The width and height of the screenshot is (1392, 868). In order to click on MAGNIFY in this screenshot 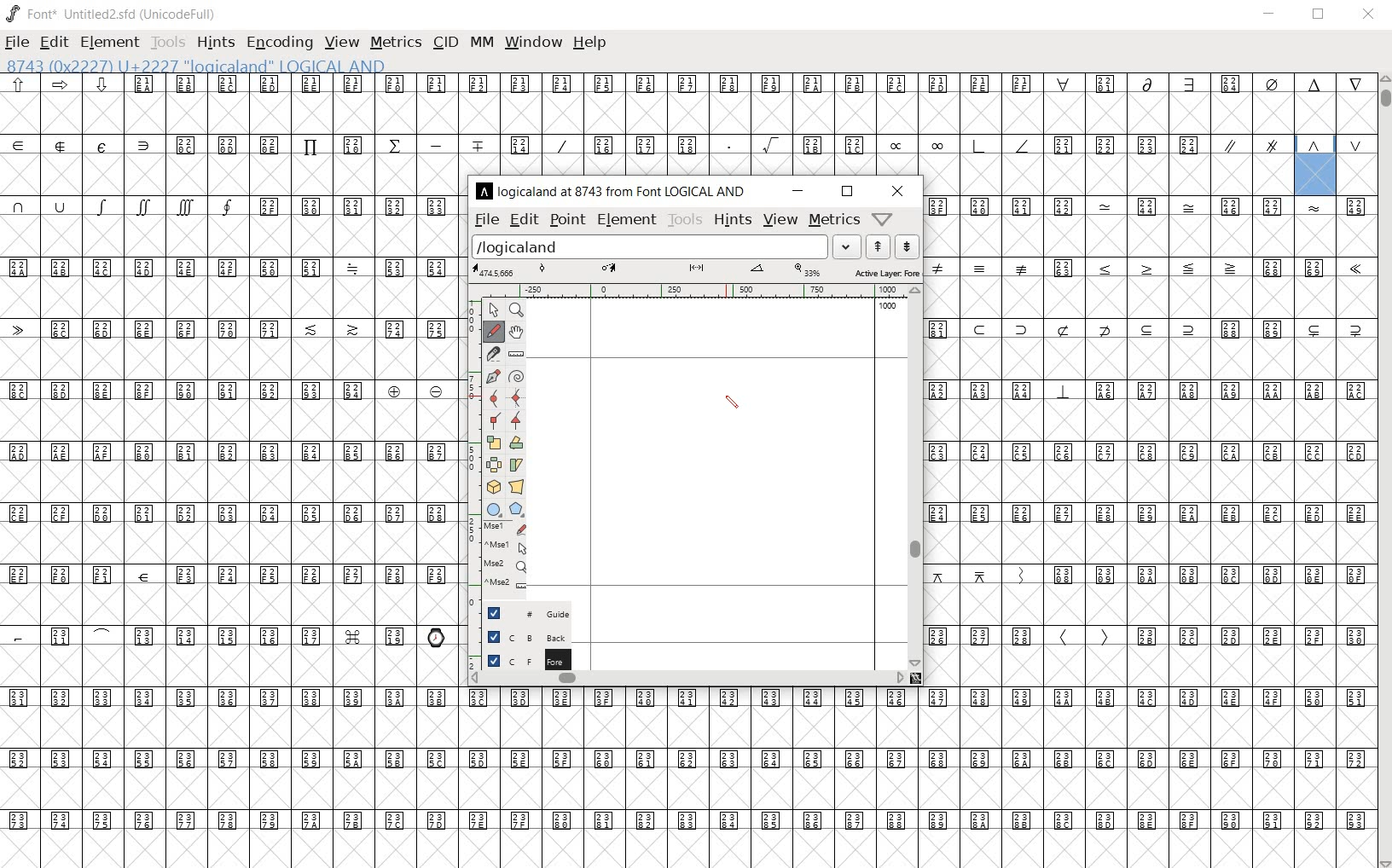, I will do `click(518, 311)`.